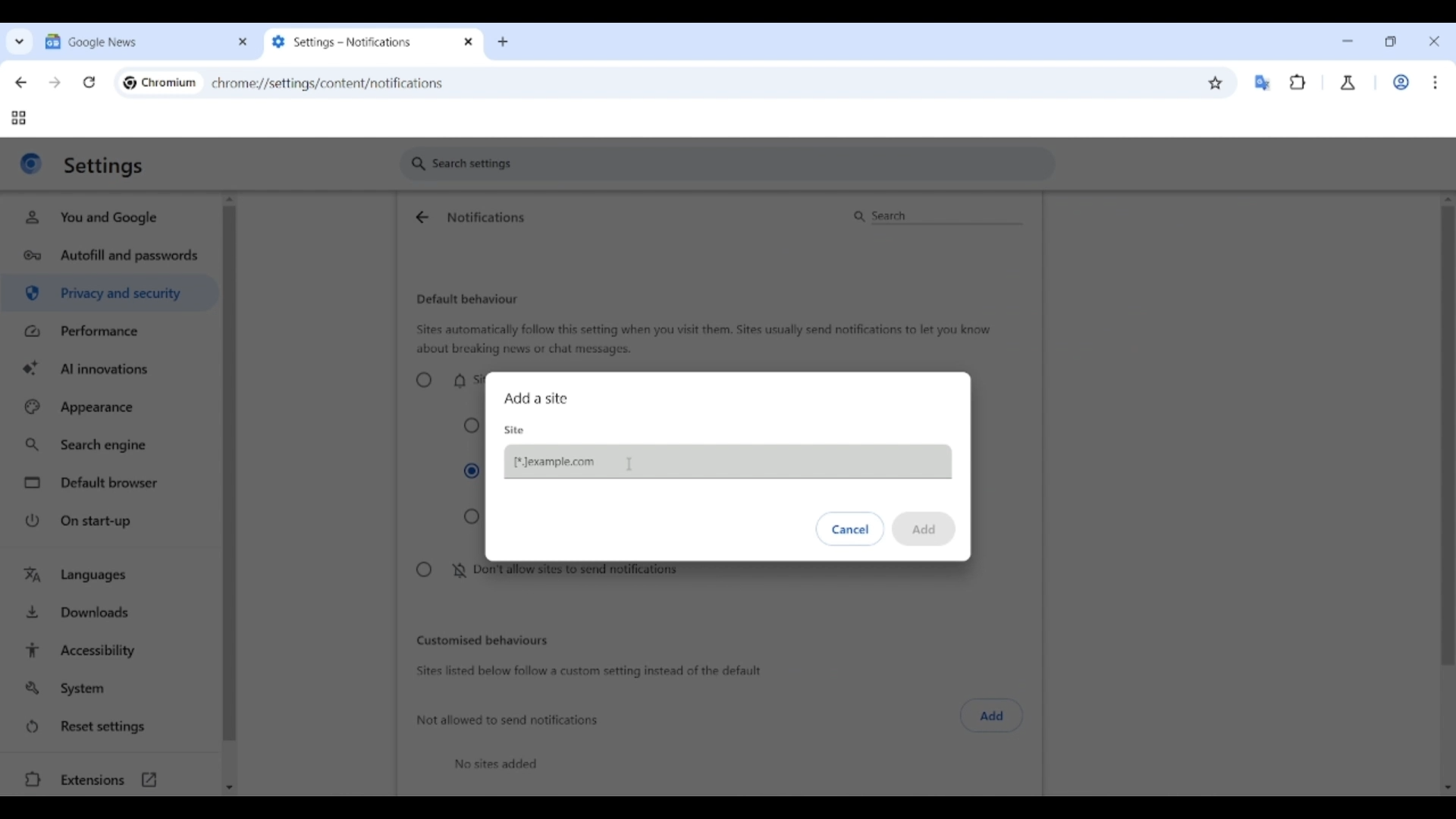 This screenshot has width=1456, height=819. I want to click on Google translator extension, so click(1262, 83).